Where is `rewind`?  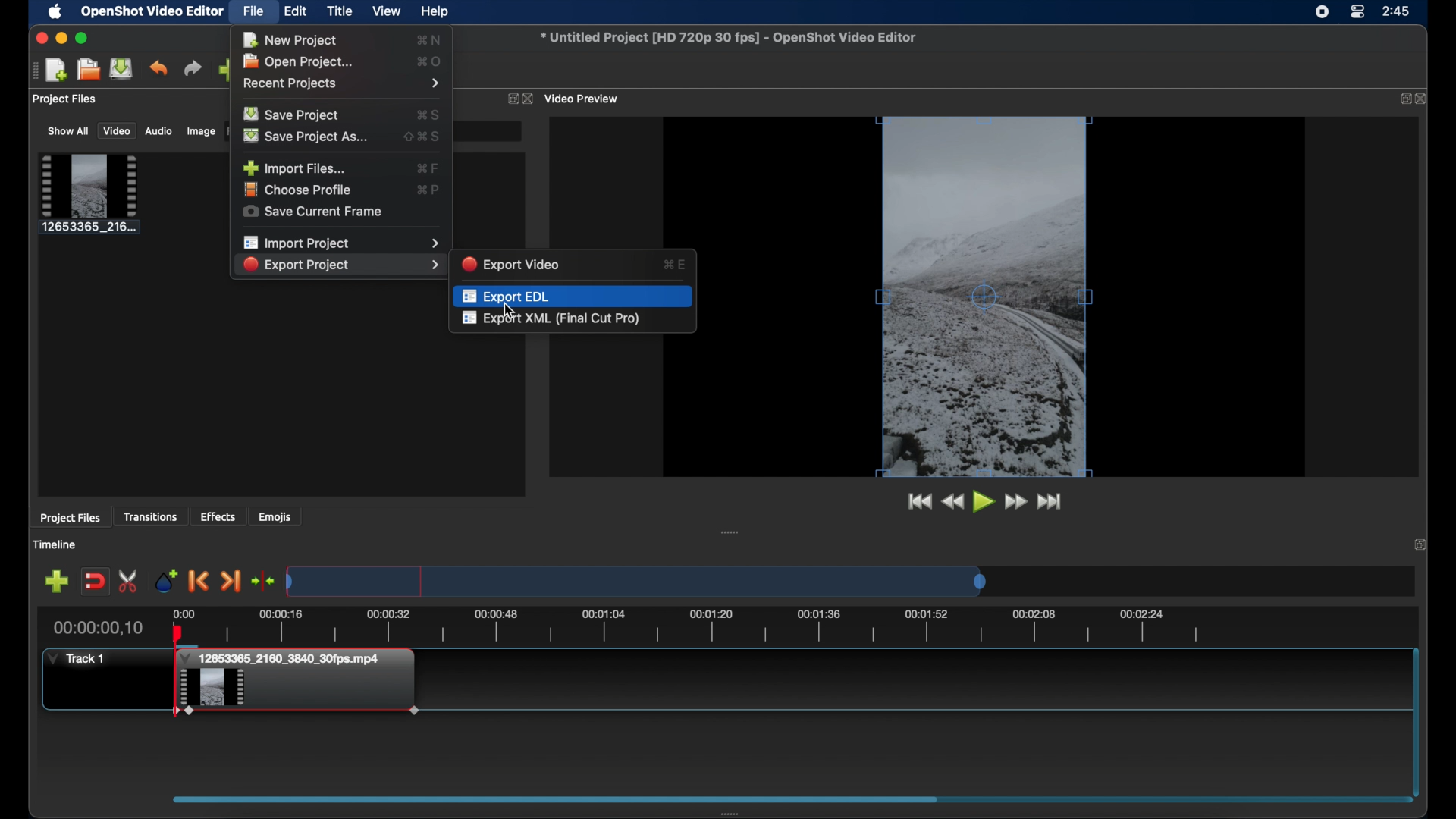
rewind is located at coordinates (953, 501).